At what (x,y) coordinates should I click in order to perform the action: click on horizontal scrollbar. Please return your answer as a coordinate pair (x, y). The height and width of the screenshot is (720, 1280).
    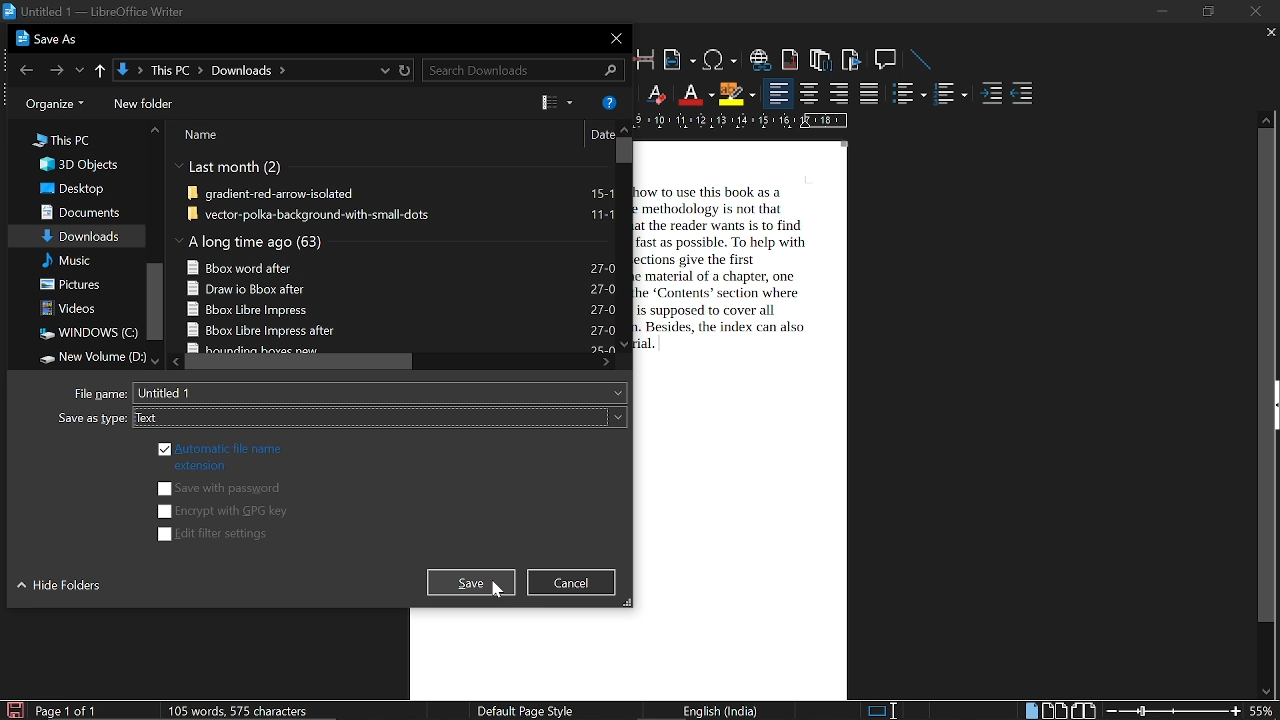
    Looking at the image, I should click on (297, 362).